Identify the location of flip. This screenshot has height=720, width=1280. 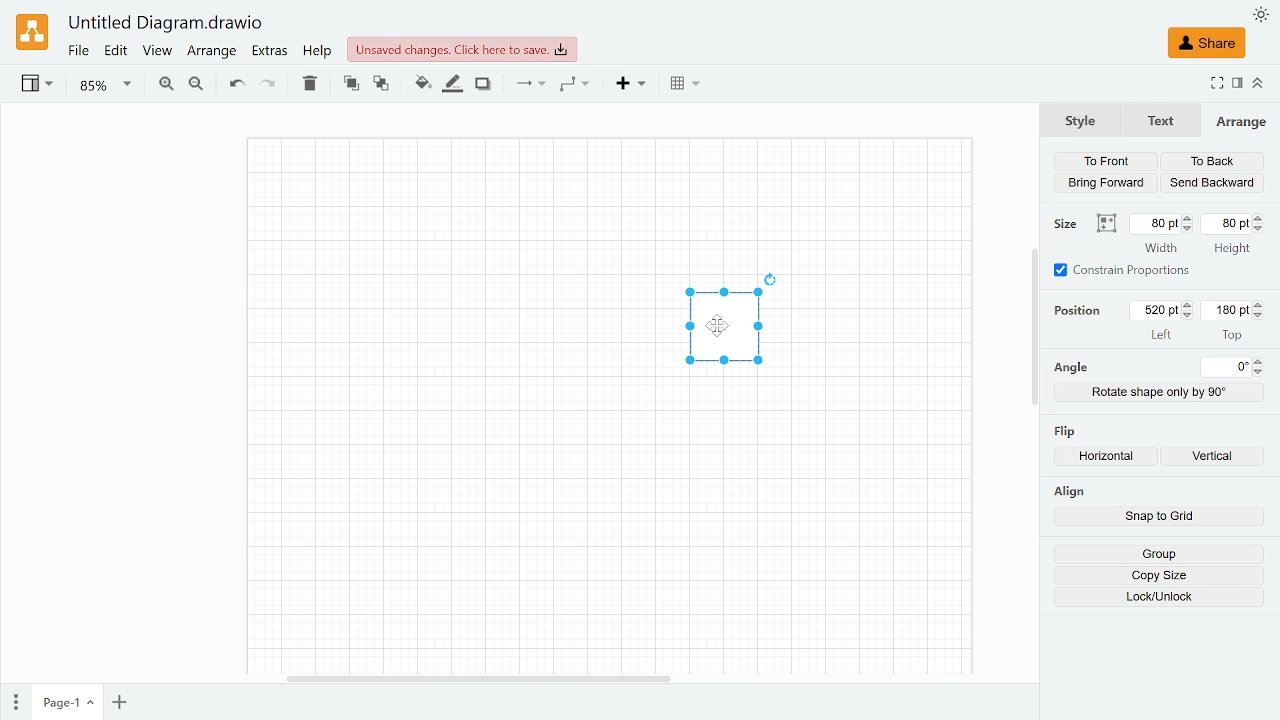
(1067, 429).